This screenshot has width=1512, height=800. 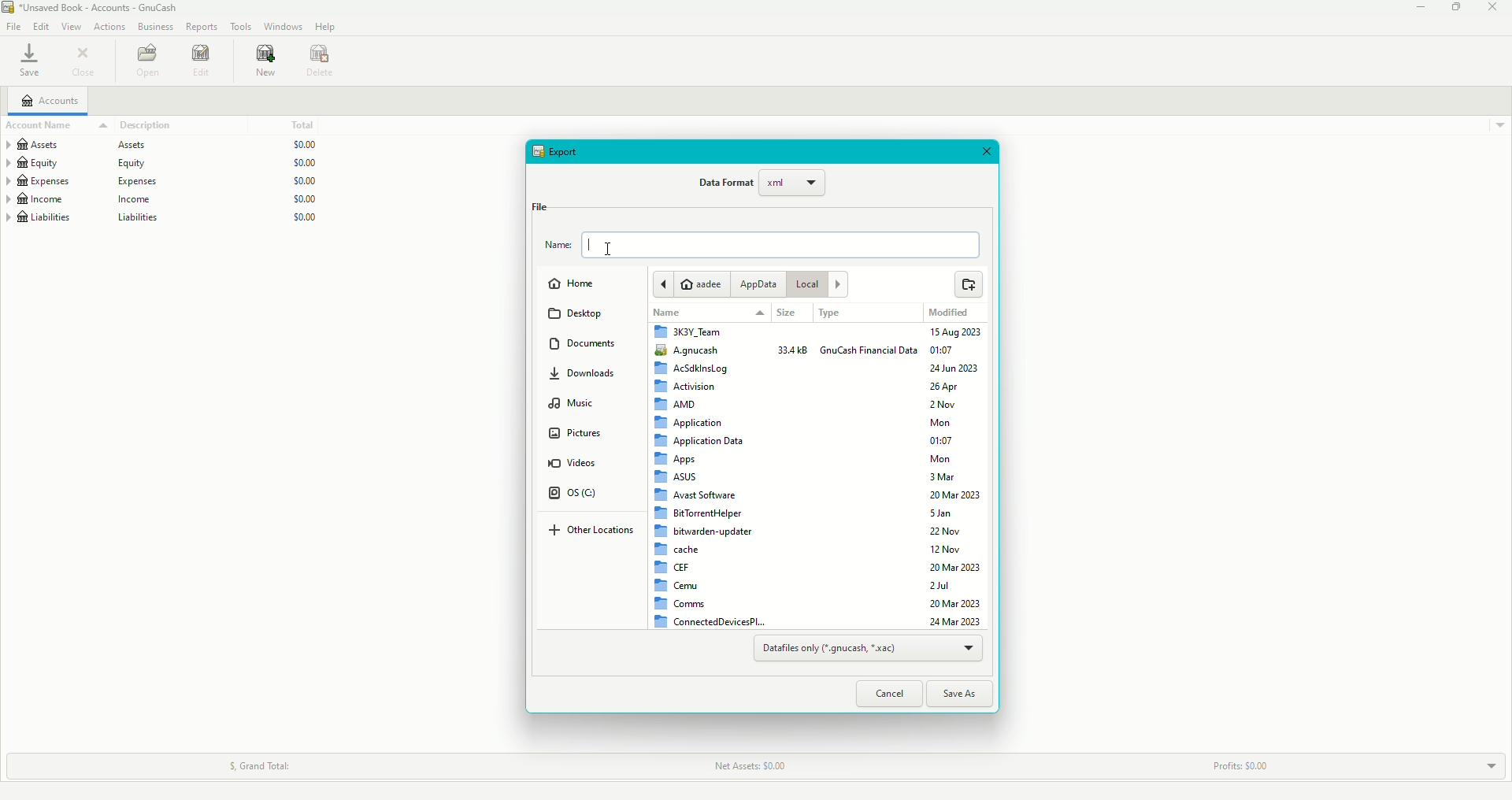 What do you see at coordinates (325, 27) in the screenshot?
I see `Help` at bounding box center [325, 27].